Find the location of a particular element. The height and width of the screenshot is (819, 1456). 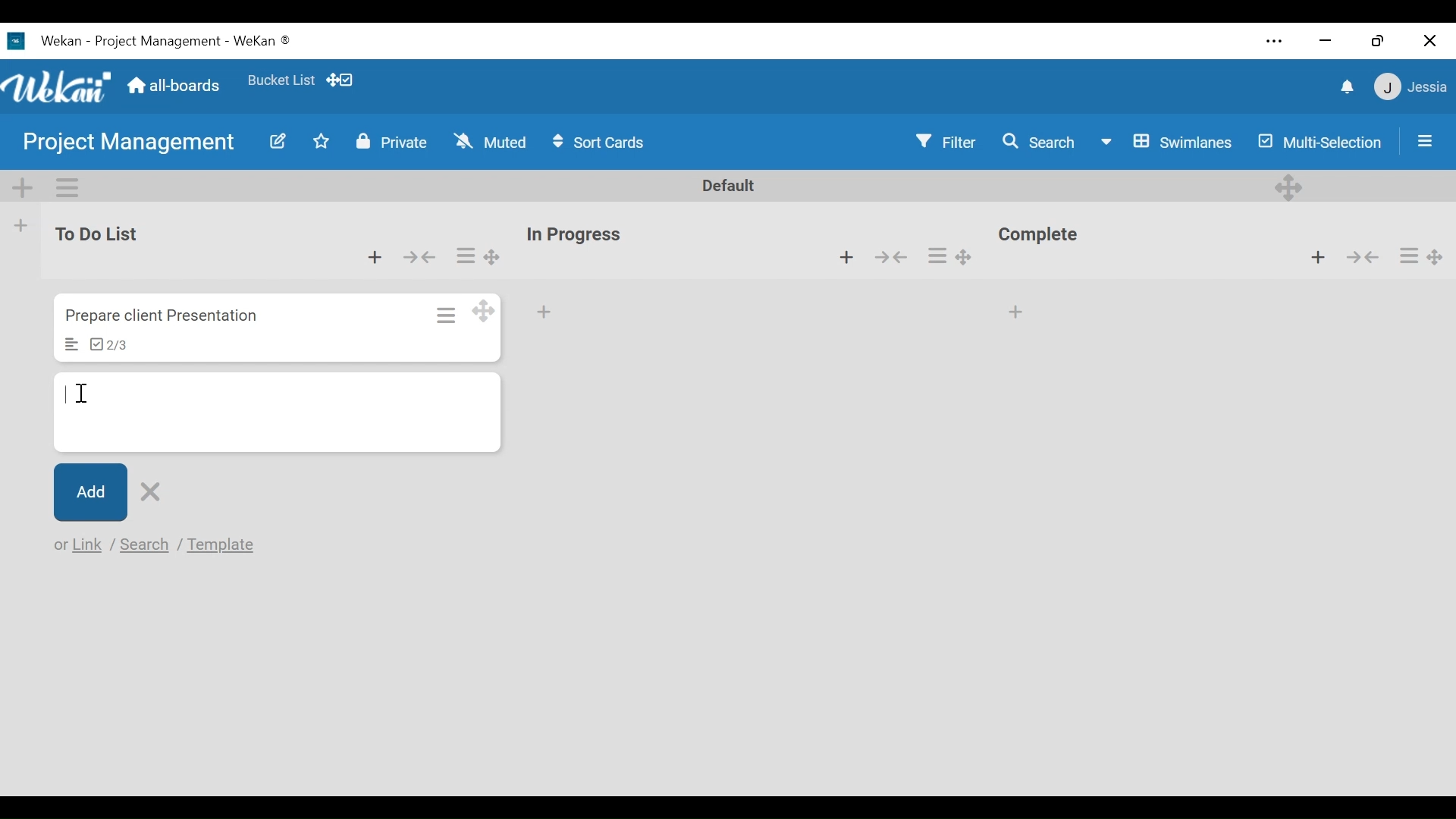

Card description is located at coordinates (72, 345).